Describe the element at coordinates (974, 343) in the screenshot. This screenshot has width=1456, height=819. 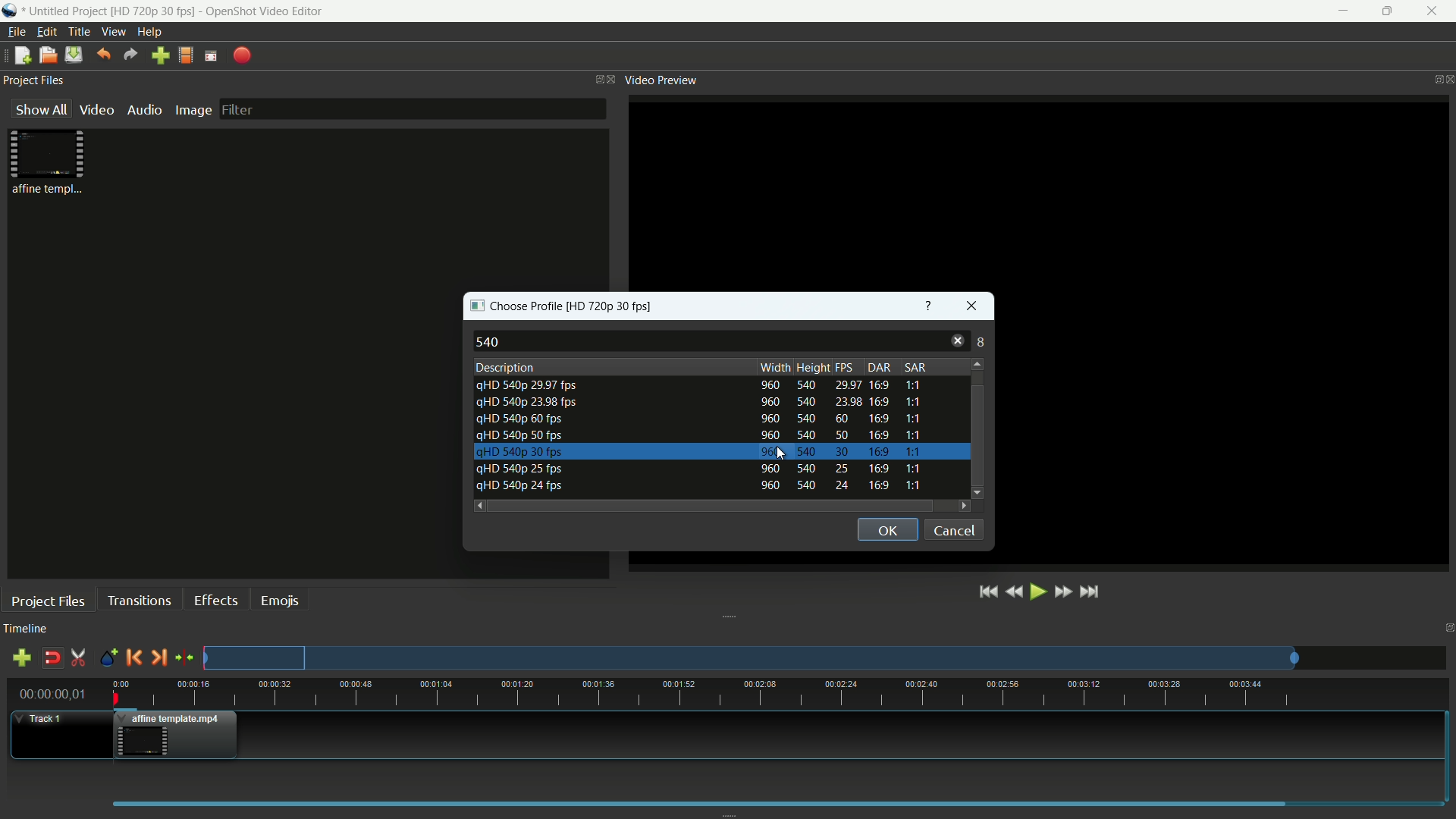
I see `414` at that location.